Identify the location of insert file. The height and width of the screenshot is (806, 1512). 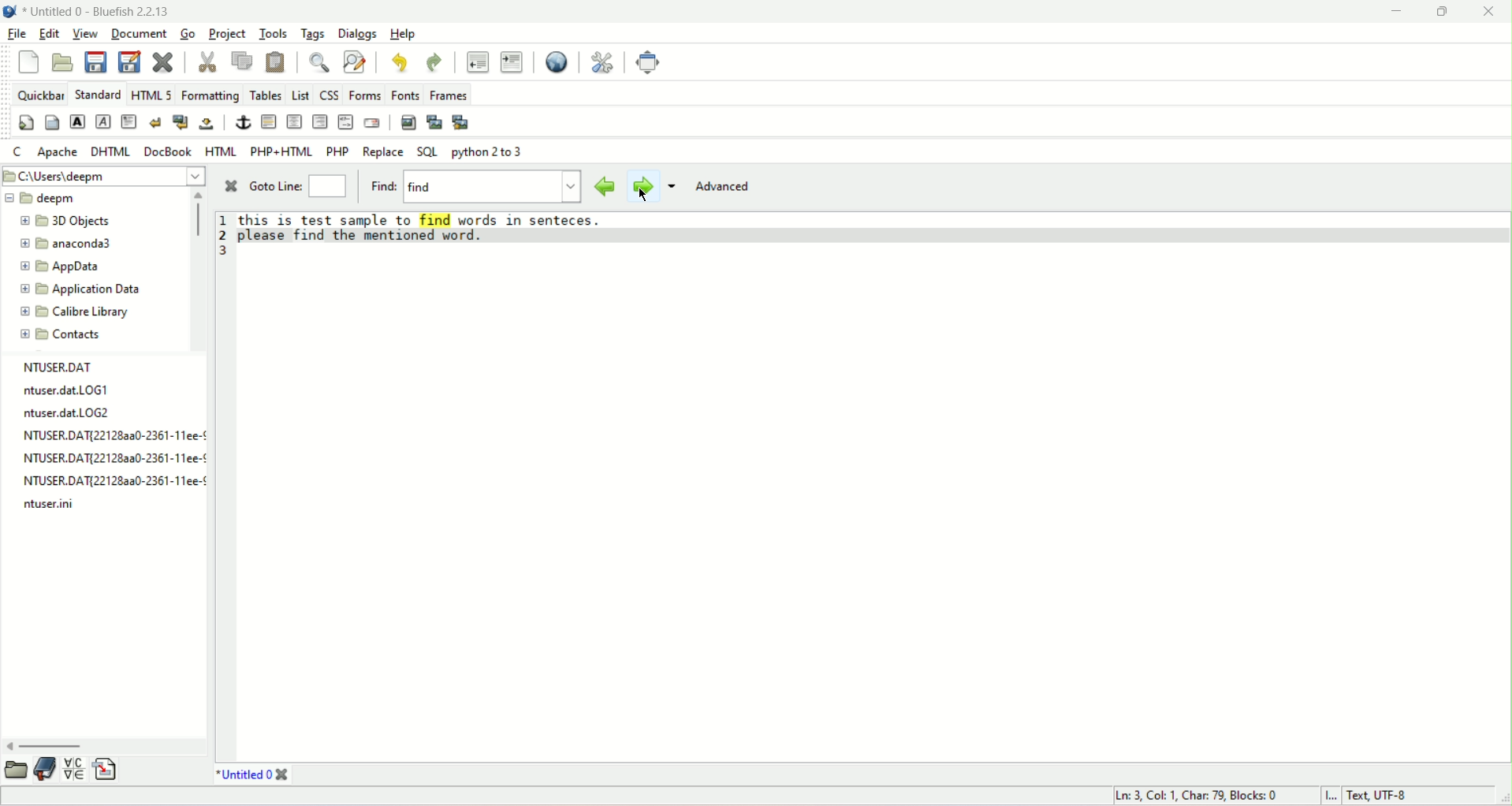
(106, 767).